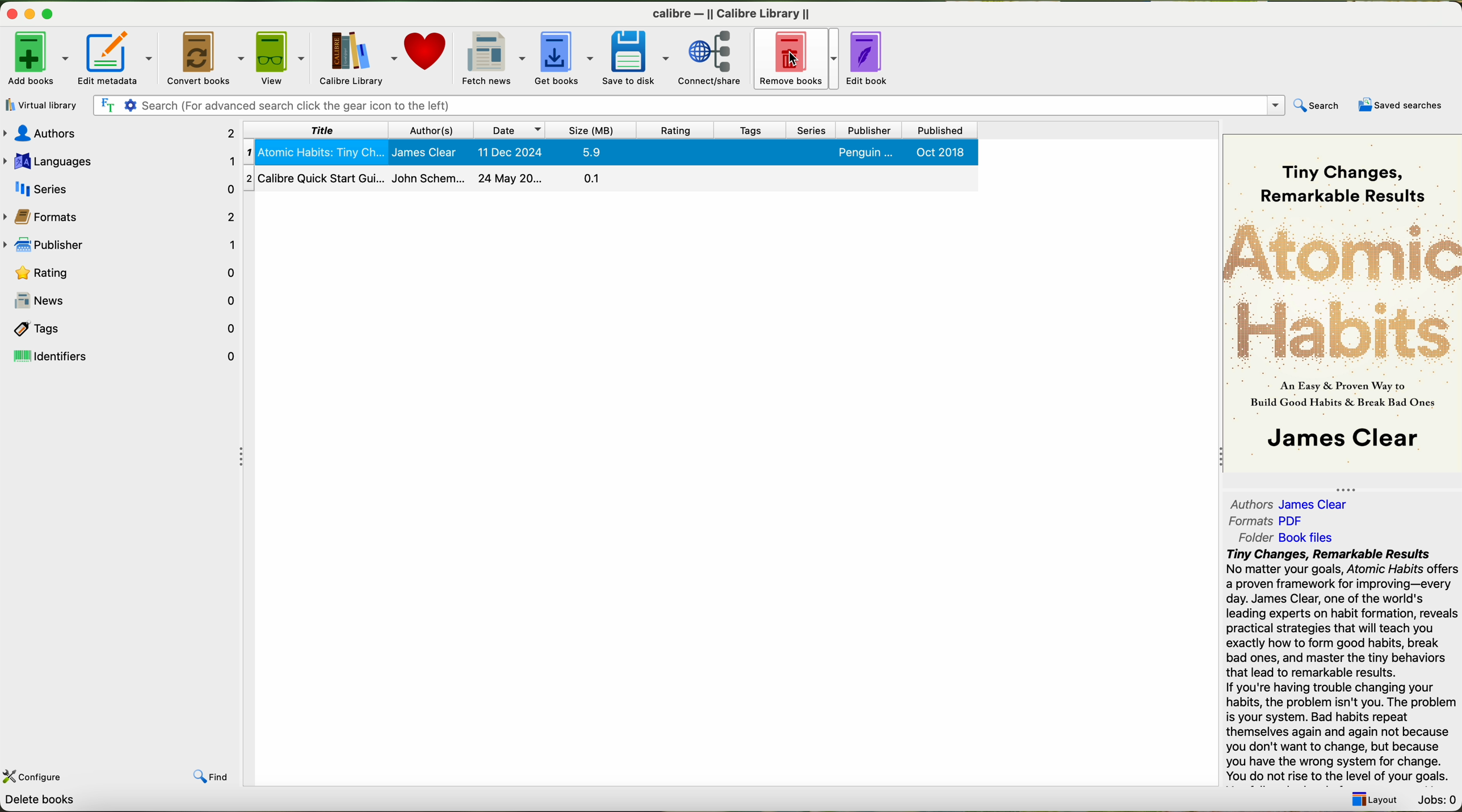  What do you see at coordinates (796, 60) in the screenshot?
I see `cursor` at bounding box center [796, 60].